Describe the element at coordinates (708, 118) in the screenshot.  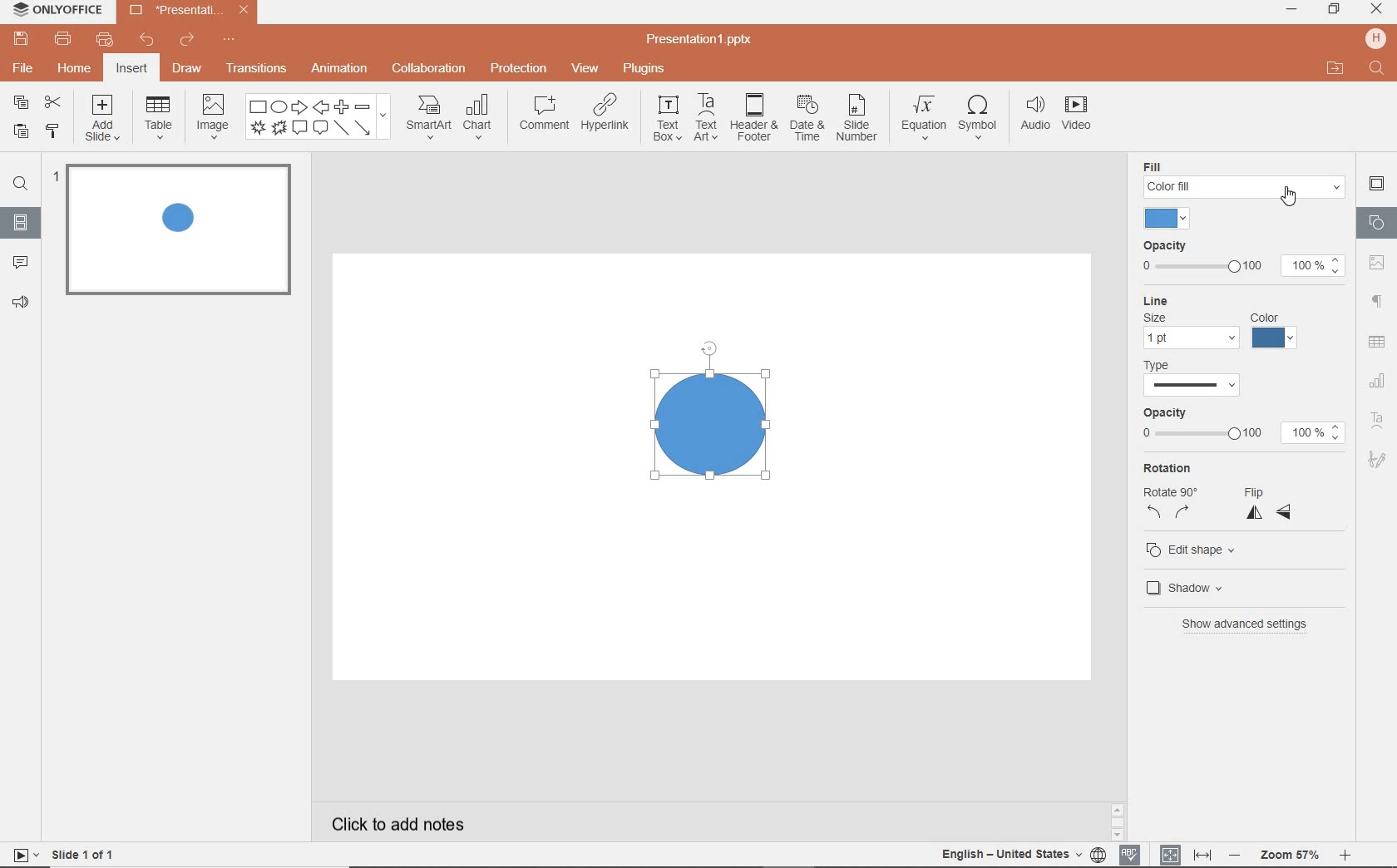
I see `text art` at that location.